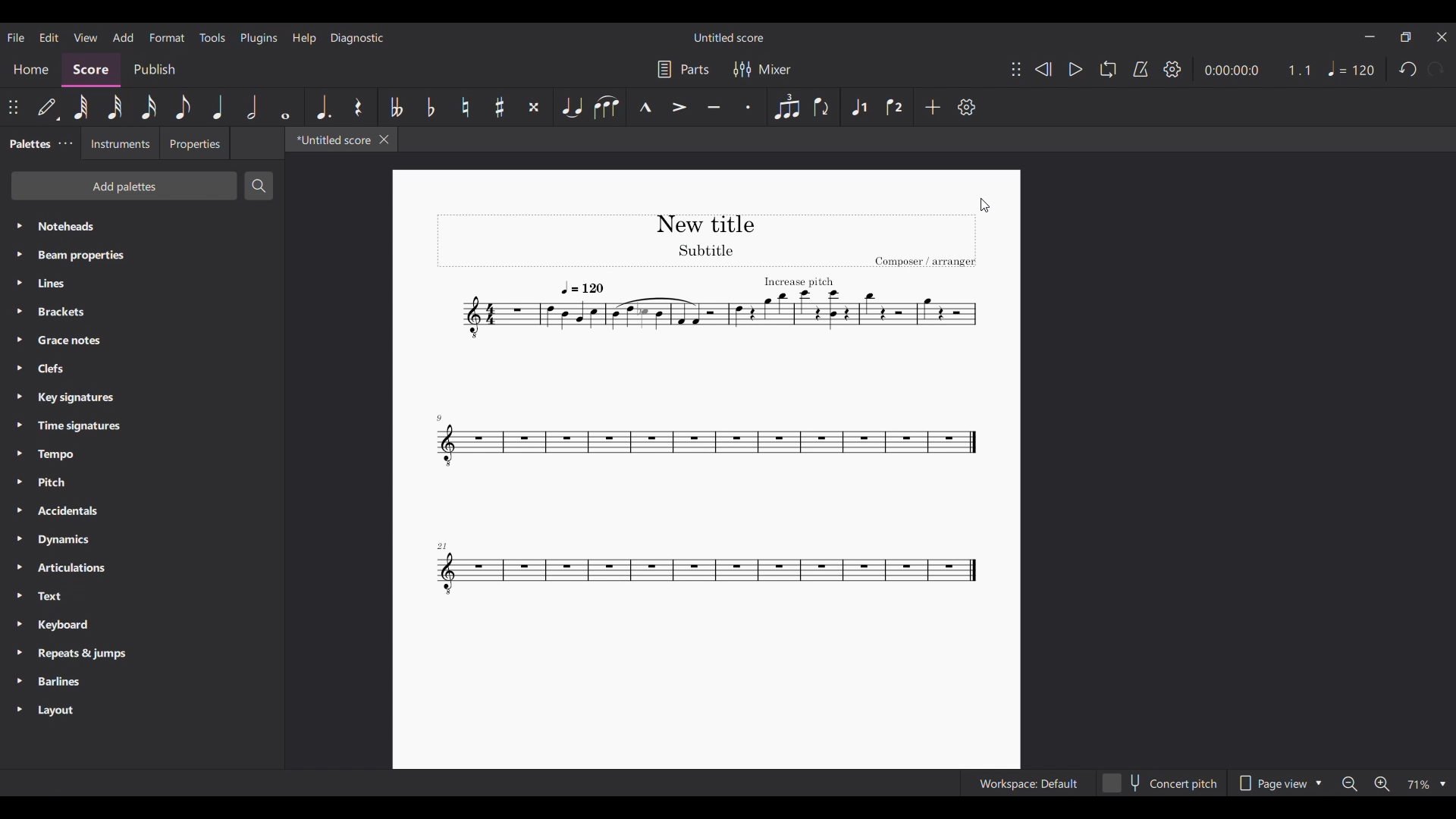 This screenshot has width=1456, height=819. I want to click on Dynamics, so click(141, 540).